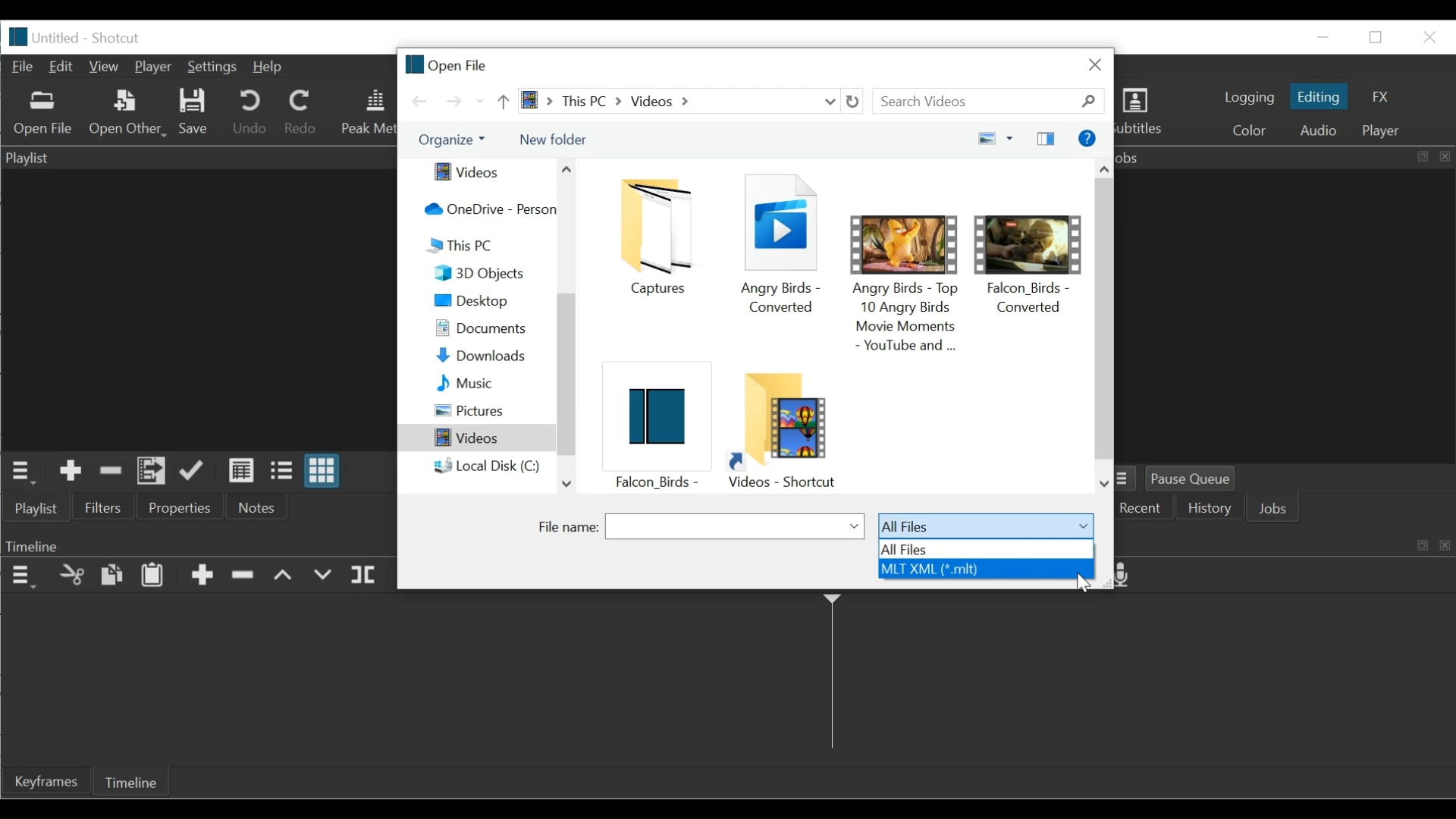 Image resolution: width=1456 pixels, height=819 pixels. What do you see at coordinates (491, 384) in the screenshot?
I see `Music` at bounding box center [491, 384].